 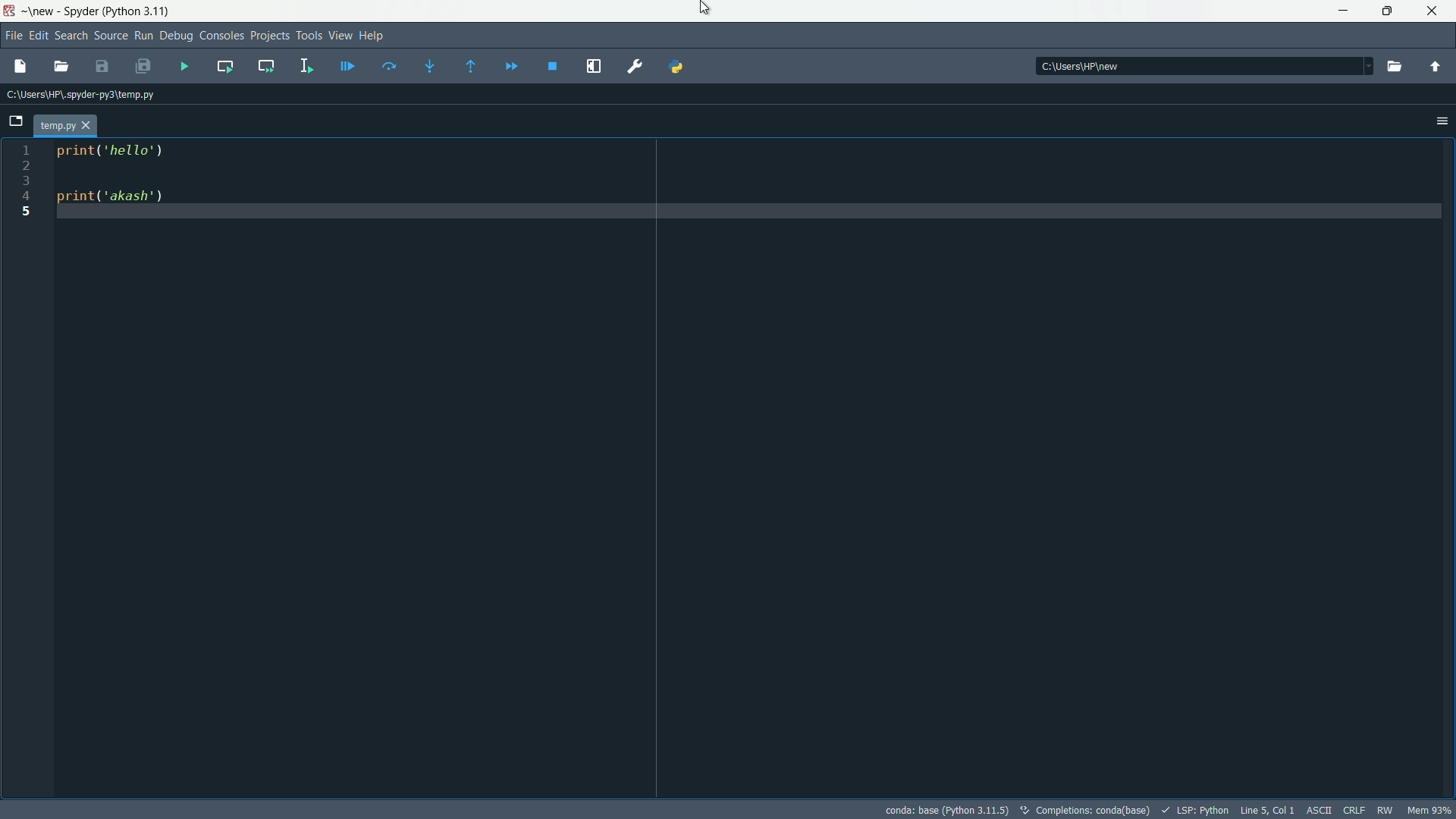 I want to click on view menu, so click(x=340, y=36).